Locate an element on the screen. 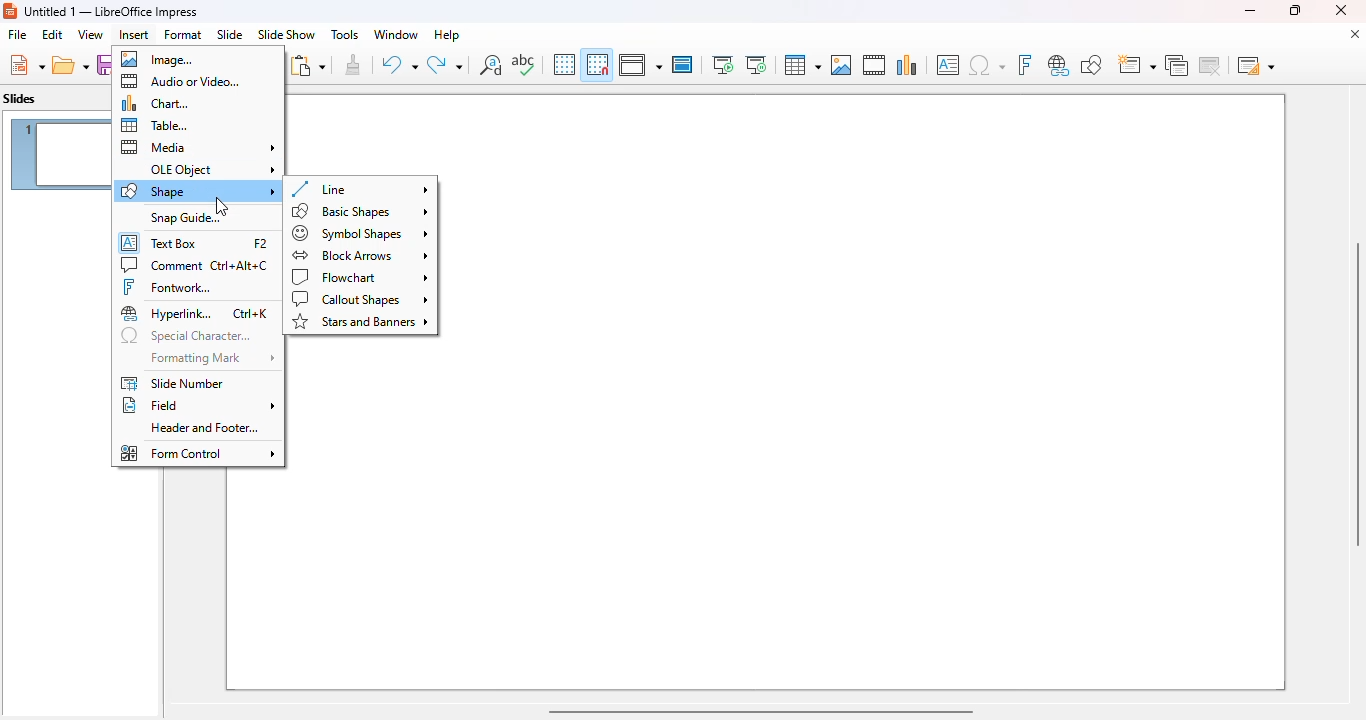 The image size is (1366, 720). new slide is located at coordinates (1135, 65).